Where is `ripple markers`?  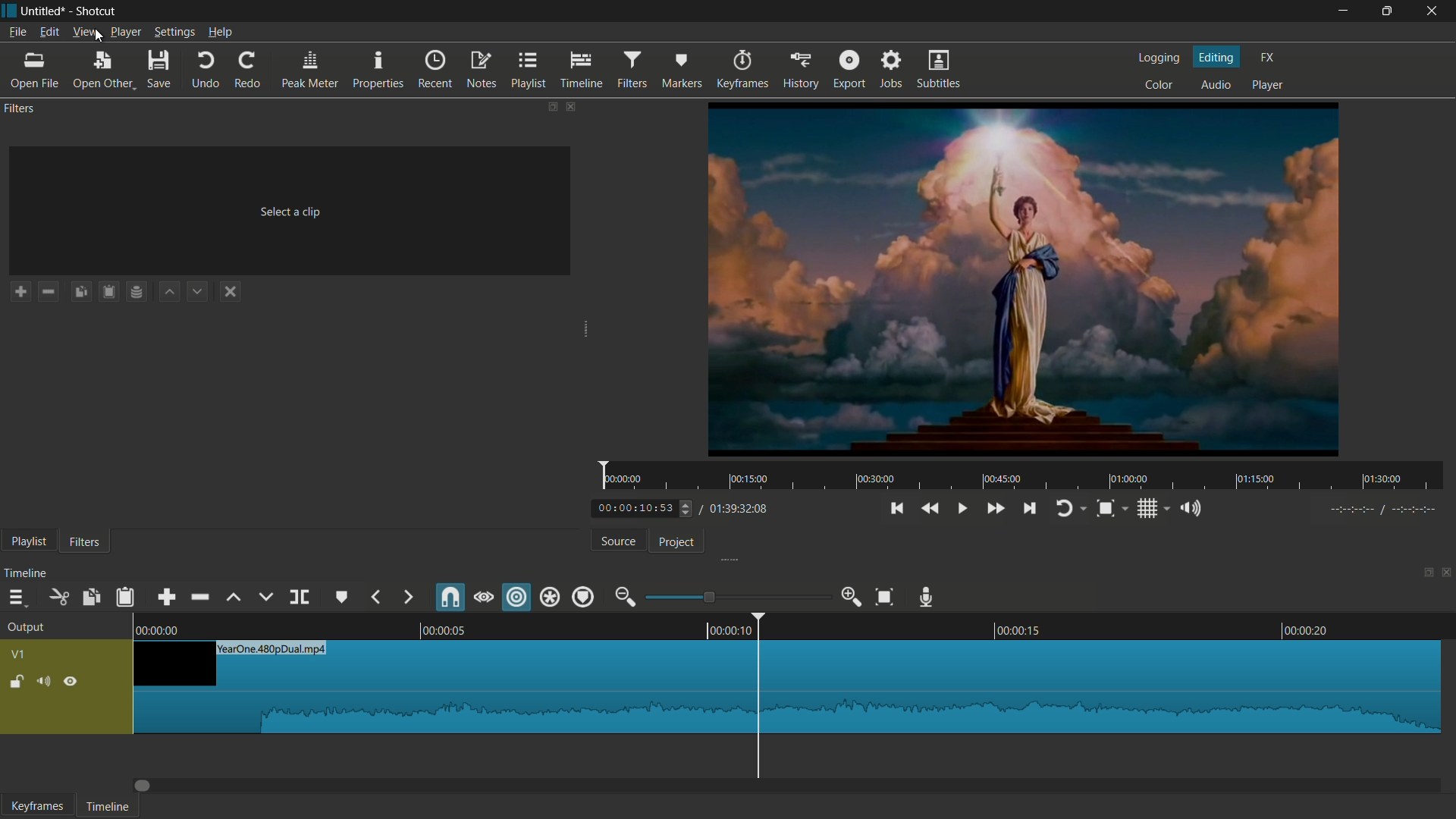 ripple markers is located at coordinates (584, 596).